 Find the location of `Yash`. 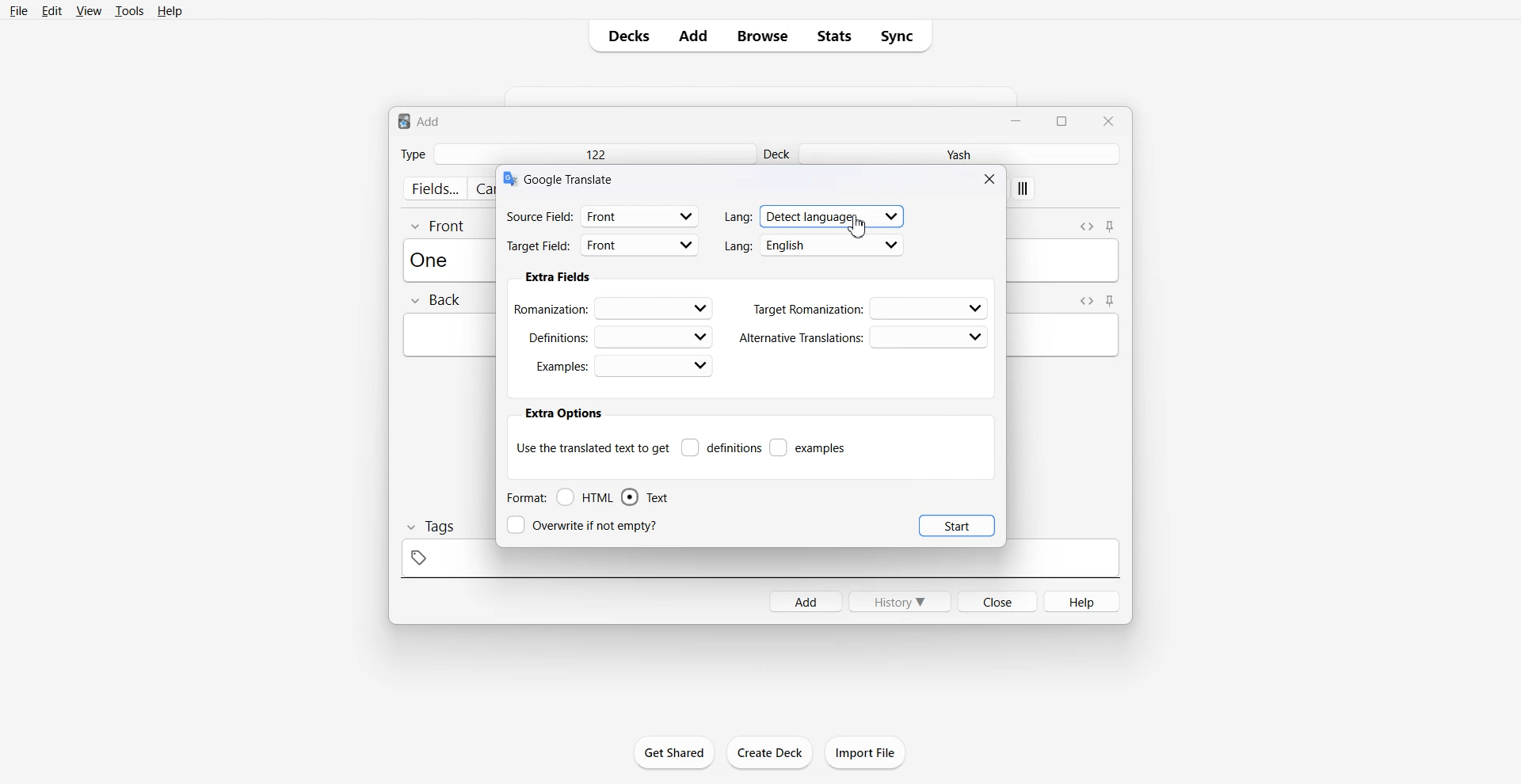

Yash is located at coordinates (963, 154).